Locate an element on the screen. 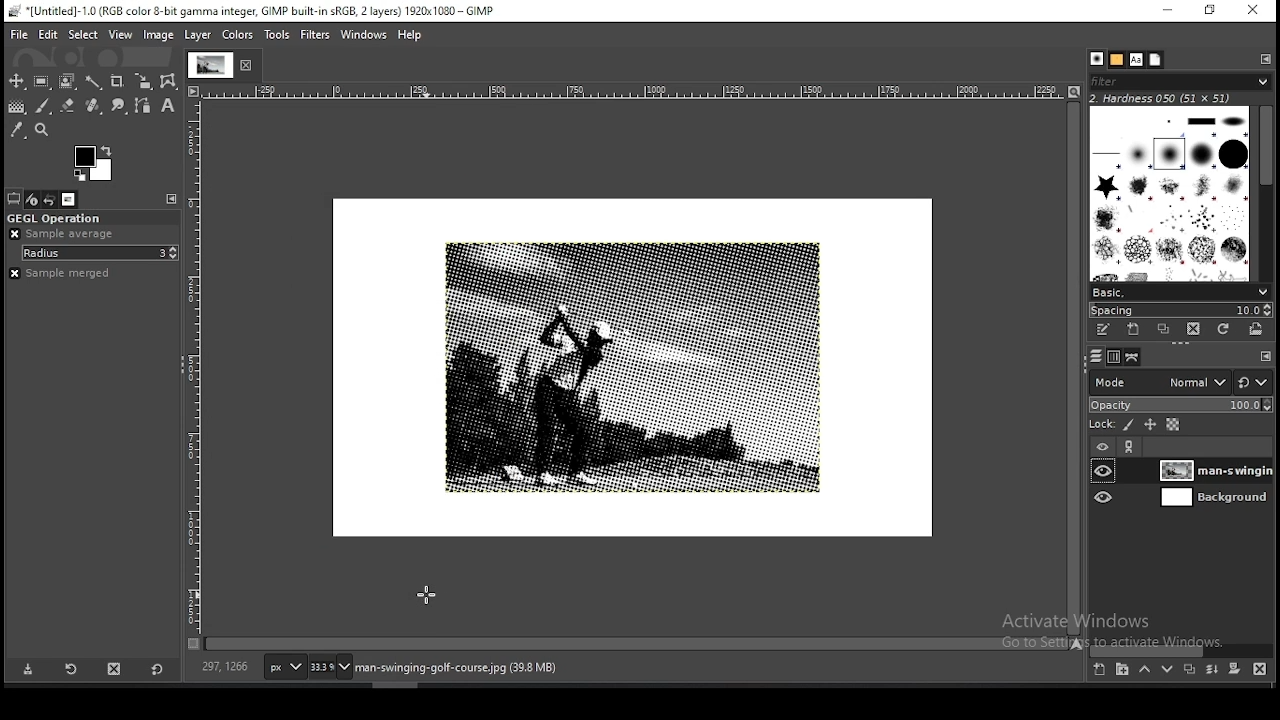 The width and height of the screenshot is (1280, 720). hardness 050 (51x51) is located at coordinates (1178, 100).